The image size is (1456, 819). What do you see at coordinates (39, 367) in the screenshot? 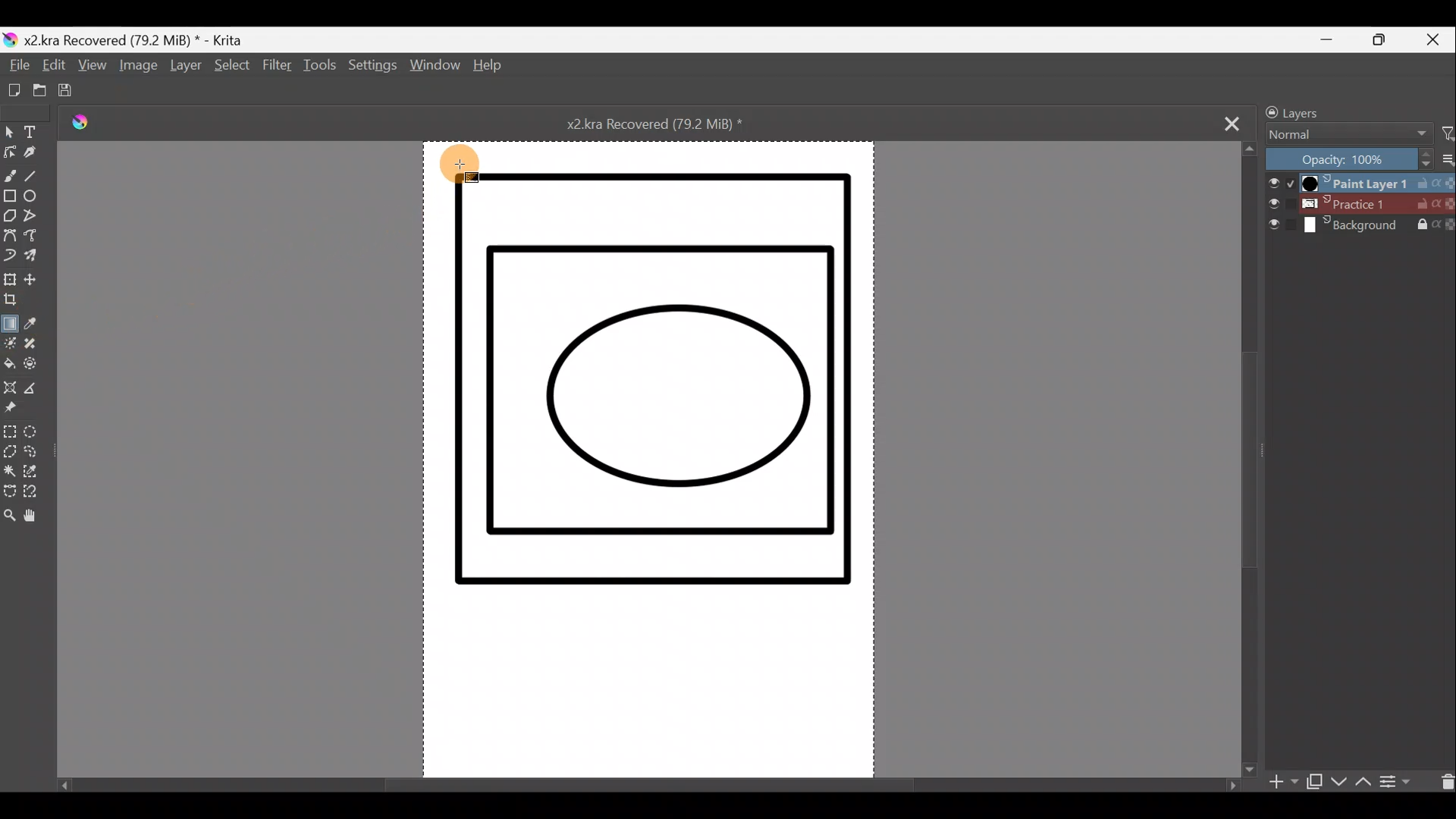
I see `Enclose & fill tool` at bounding box center [39, 367].